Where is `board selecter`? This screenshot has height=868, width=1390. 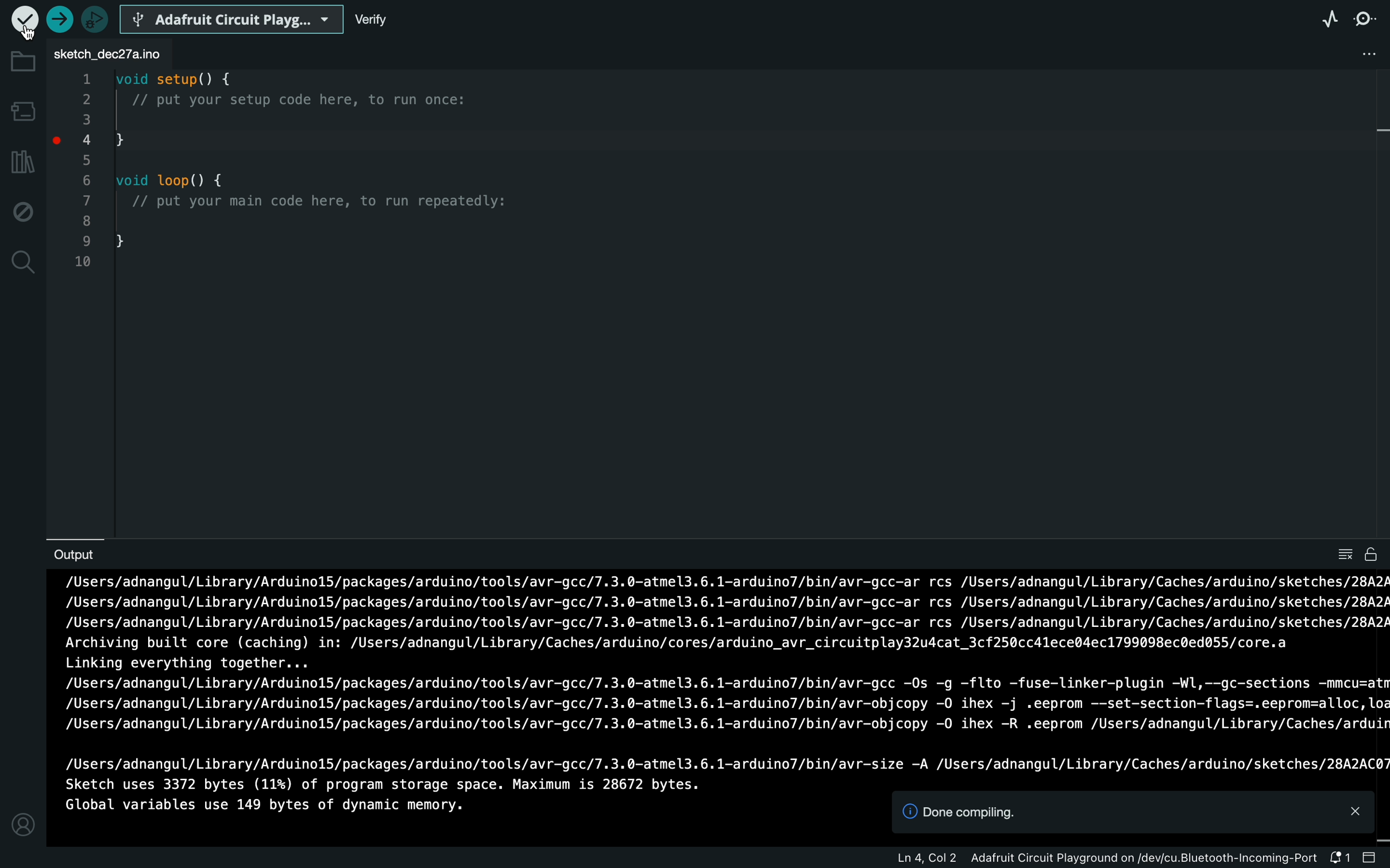
board selecter is located at coordinates (232, 17).